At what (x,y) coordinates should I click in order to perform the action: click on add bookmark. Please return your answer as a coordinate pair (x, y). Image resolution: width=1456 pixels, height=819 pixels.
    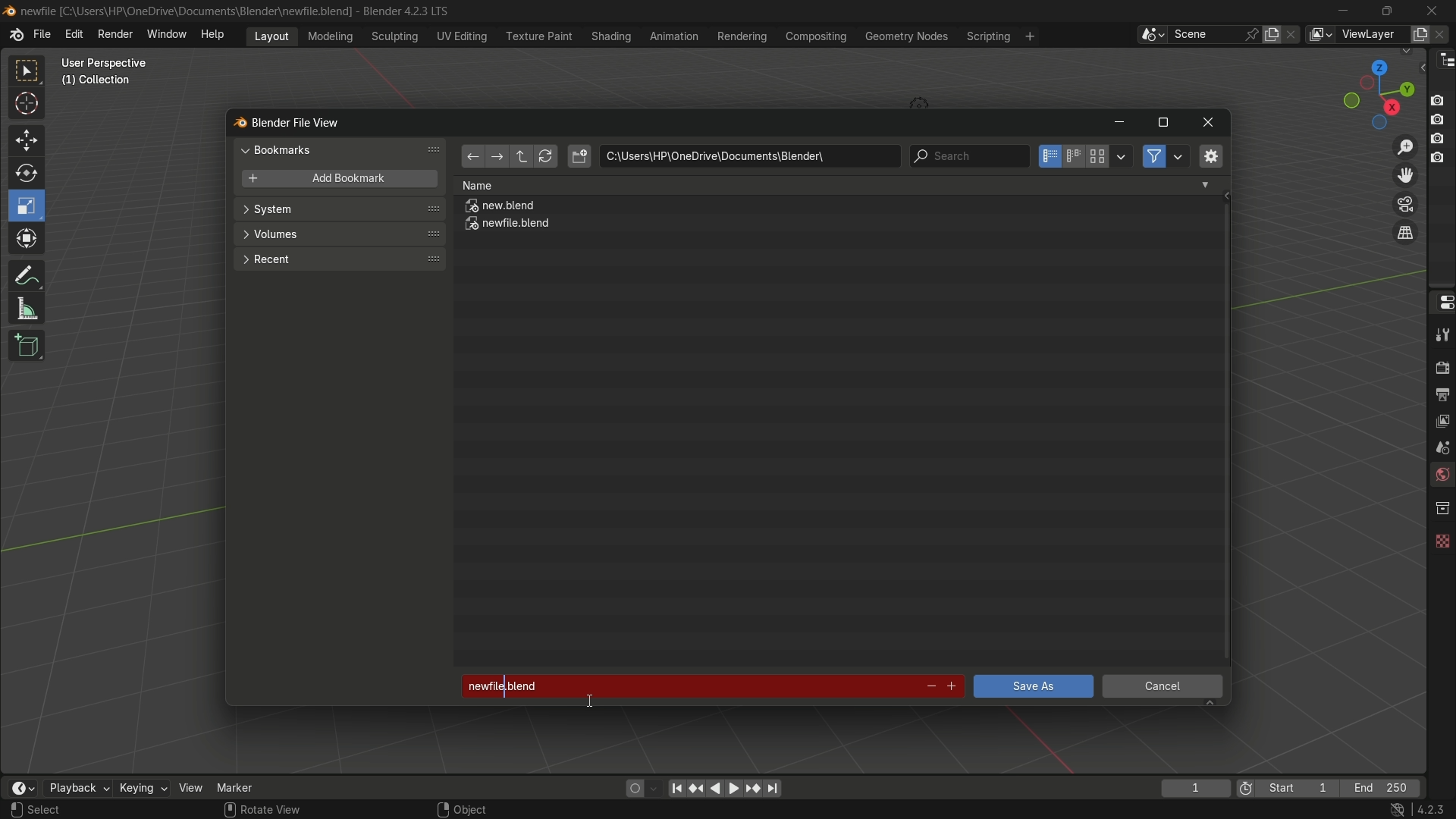
    Looking at the image, I should click on (335, 180).